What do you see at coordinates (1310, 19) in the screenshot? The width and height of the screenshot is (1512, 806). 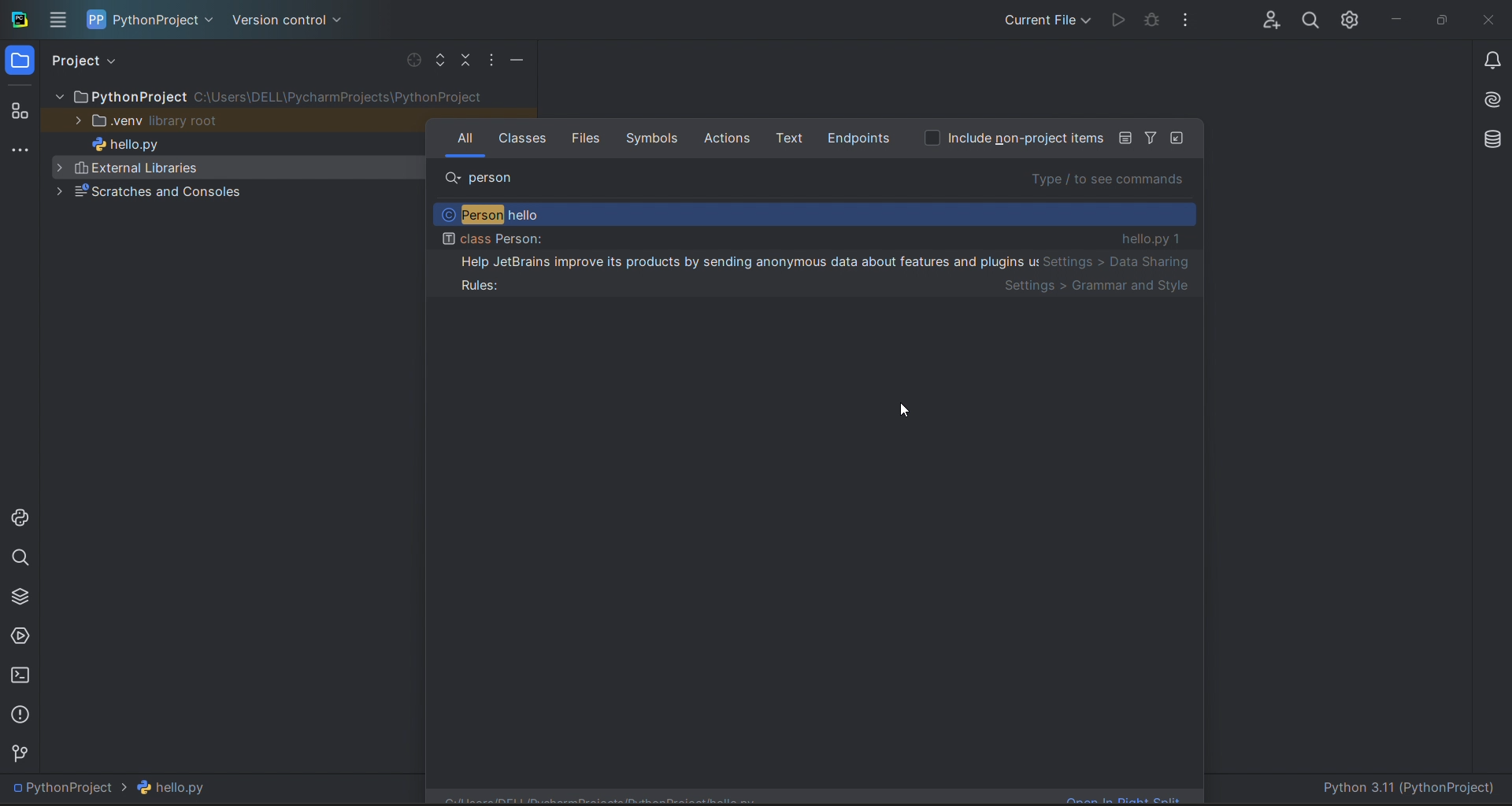 I see `search` at bounding box center [1310, 19].